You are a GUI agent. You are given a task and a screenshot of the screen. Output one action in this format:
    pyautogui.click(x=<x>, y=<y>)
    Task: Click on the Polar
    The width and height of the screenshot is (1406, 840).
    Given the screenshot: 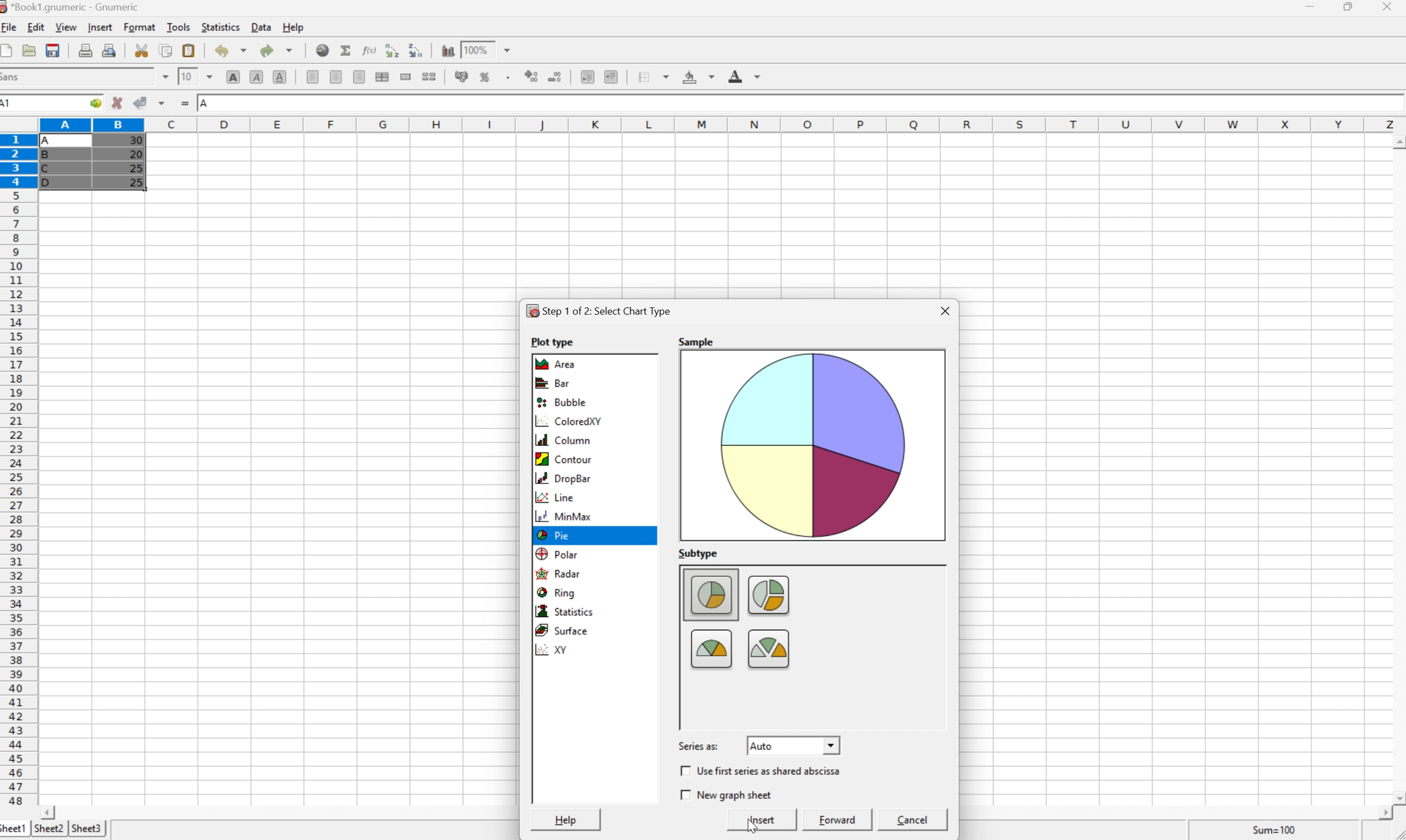 What is the action you would take?
    pyautogui.click(x=557, y=552)
    